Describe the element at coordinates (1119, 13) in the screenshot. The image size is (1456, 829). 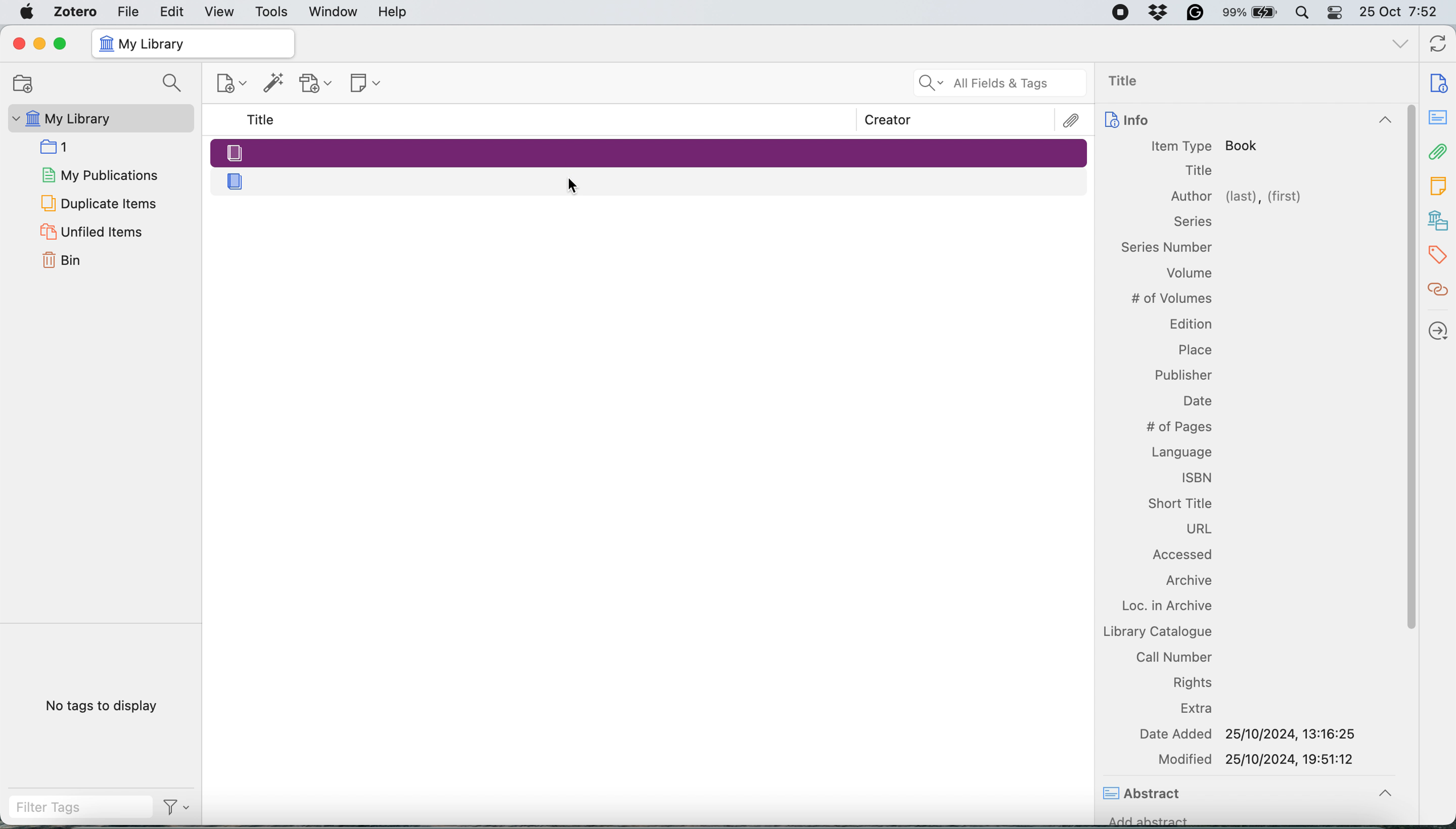
I see `Screen recording` at that location.